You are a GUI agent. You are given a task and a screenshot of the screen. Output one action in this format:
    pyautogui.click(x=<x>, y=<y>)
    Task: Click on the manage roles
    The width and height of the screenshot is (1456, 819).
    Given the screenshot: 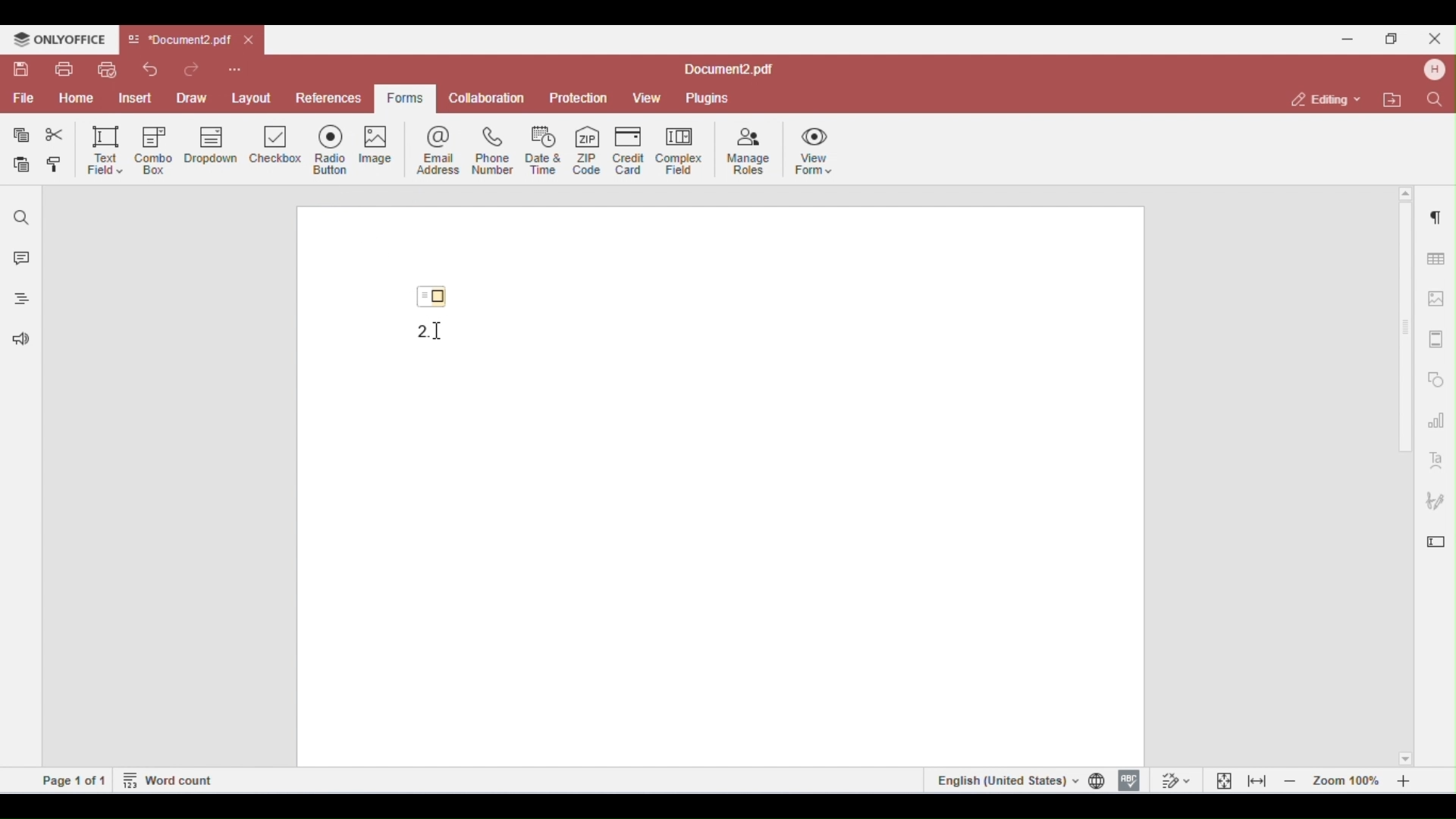 What is the action you would take?
    pyautogui.click(x=749, y=152)
    